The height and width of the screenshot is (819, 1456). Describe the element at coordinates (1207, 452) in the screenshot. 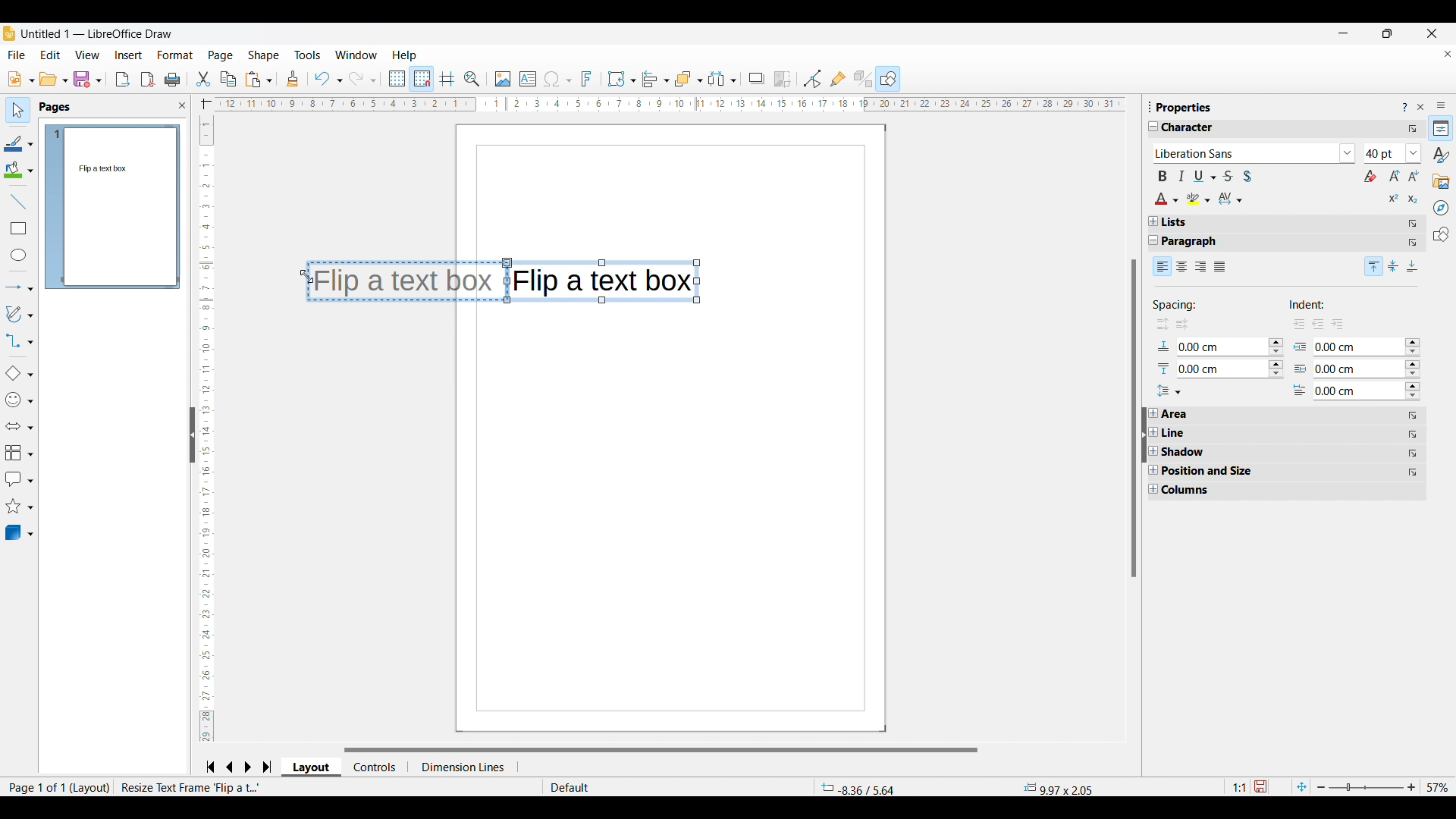

I see `Shadow property` at that location.